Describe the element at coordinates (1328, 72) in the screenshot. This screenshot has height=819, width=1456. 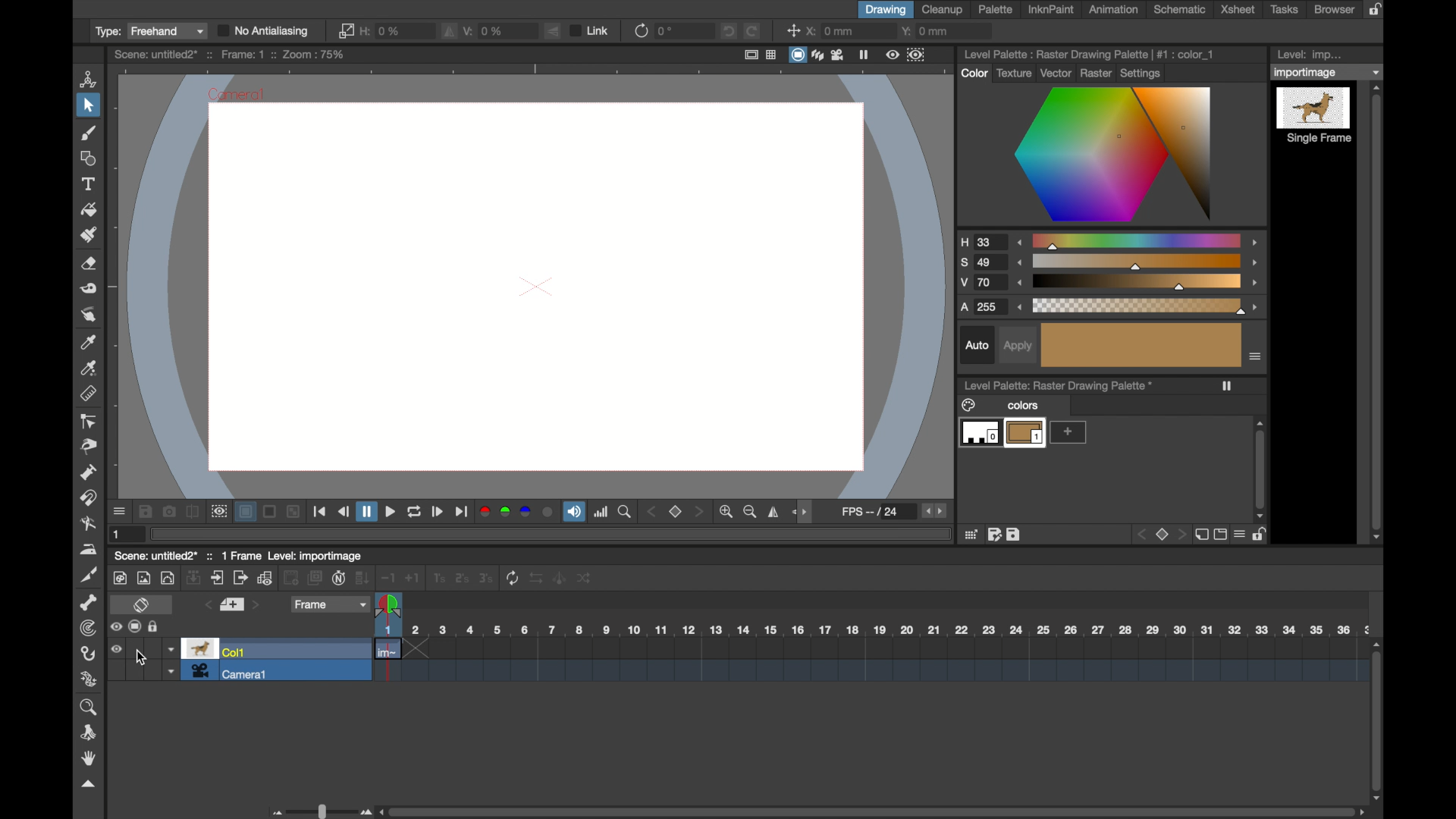
I see `dropdown` at that location.